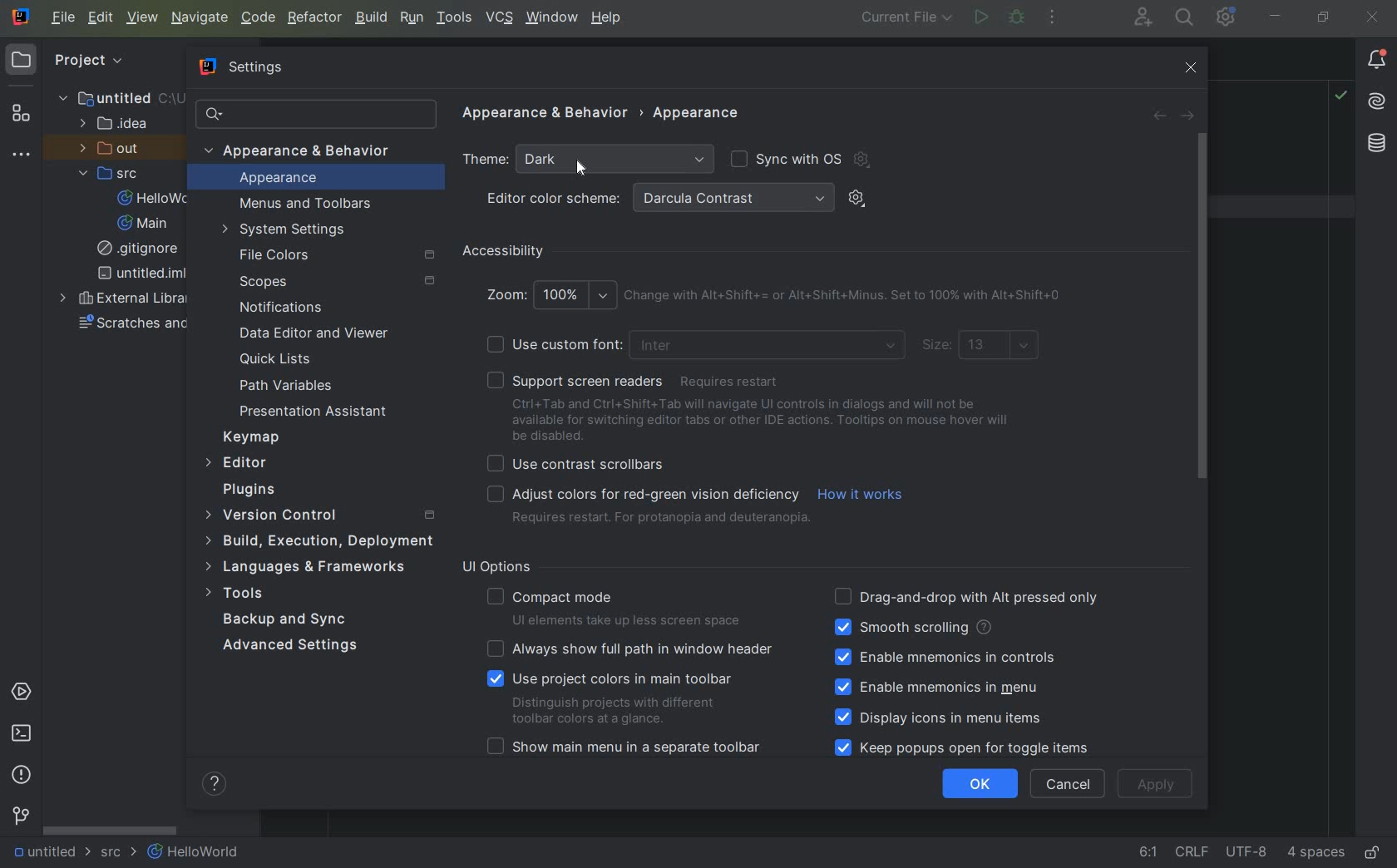  I want to click on compact mode, so click(618, 605).